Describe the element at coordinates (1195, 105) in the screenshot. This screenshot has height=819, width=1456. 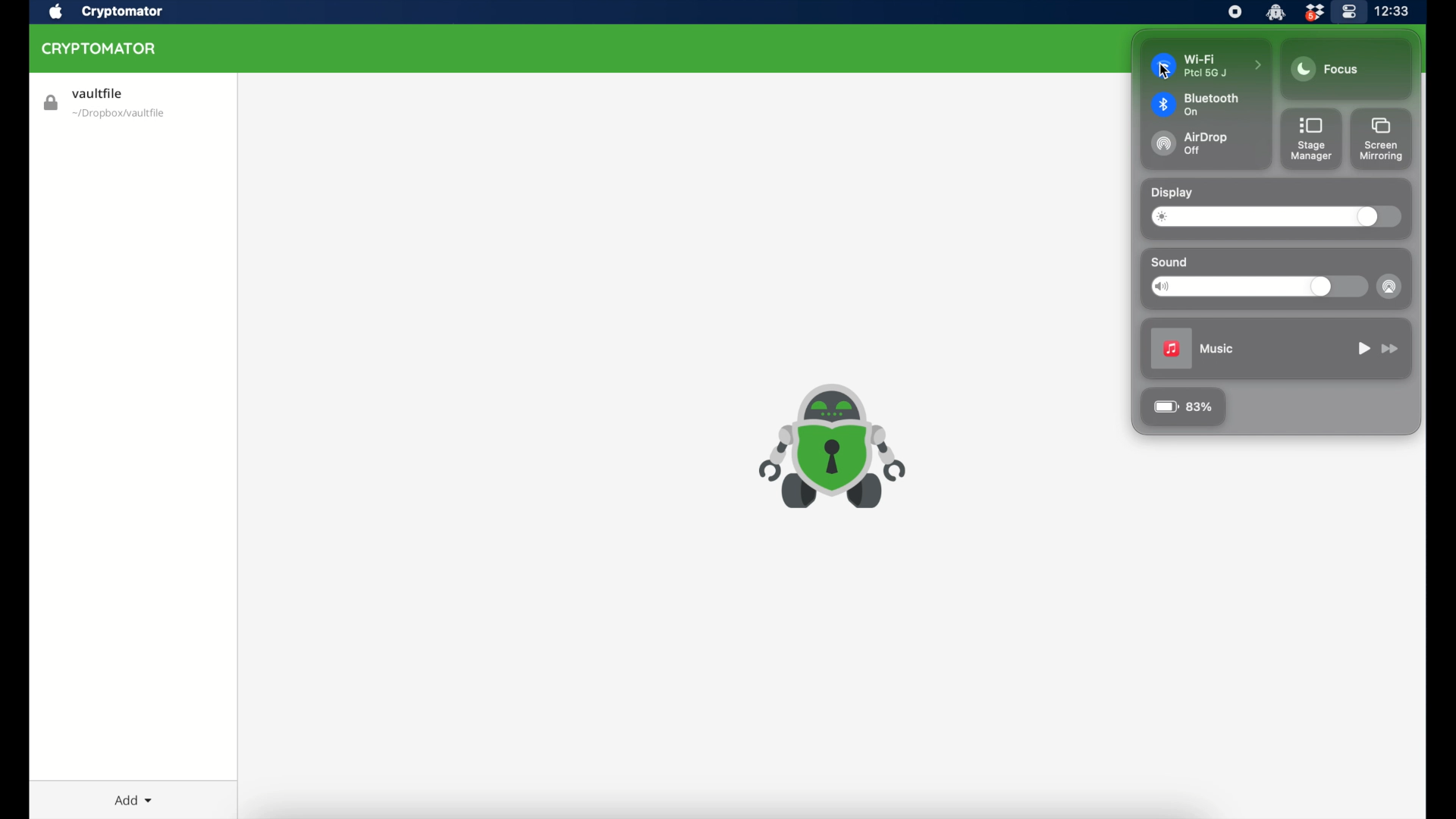
I see `bluetooth` at that location.